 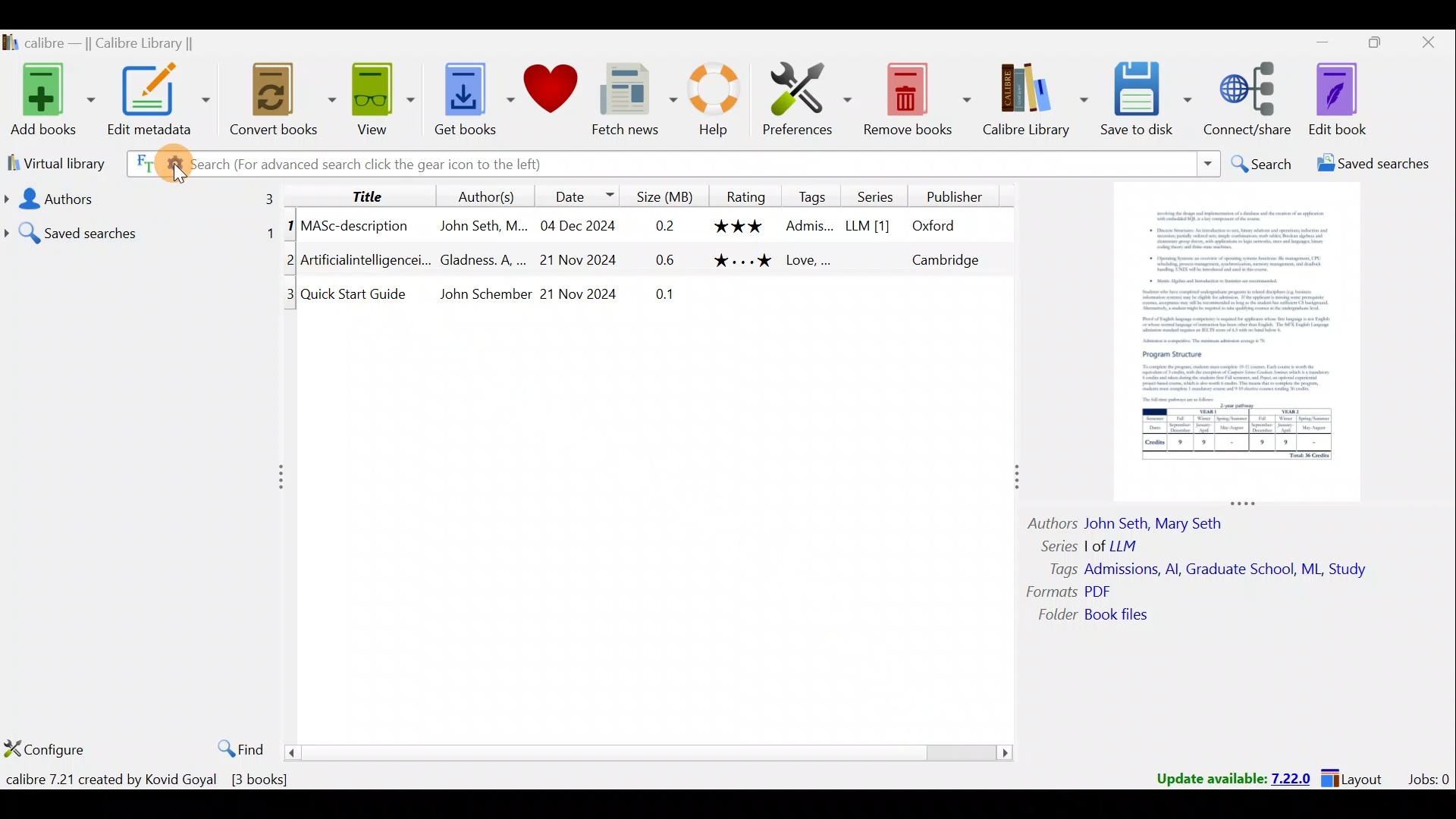 What do you see at coordinates (1037, 101) in the screenshot?
I see `Calibre library` at bounding box center [1037, 101].